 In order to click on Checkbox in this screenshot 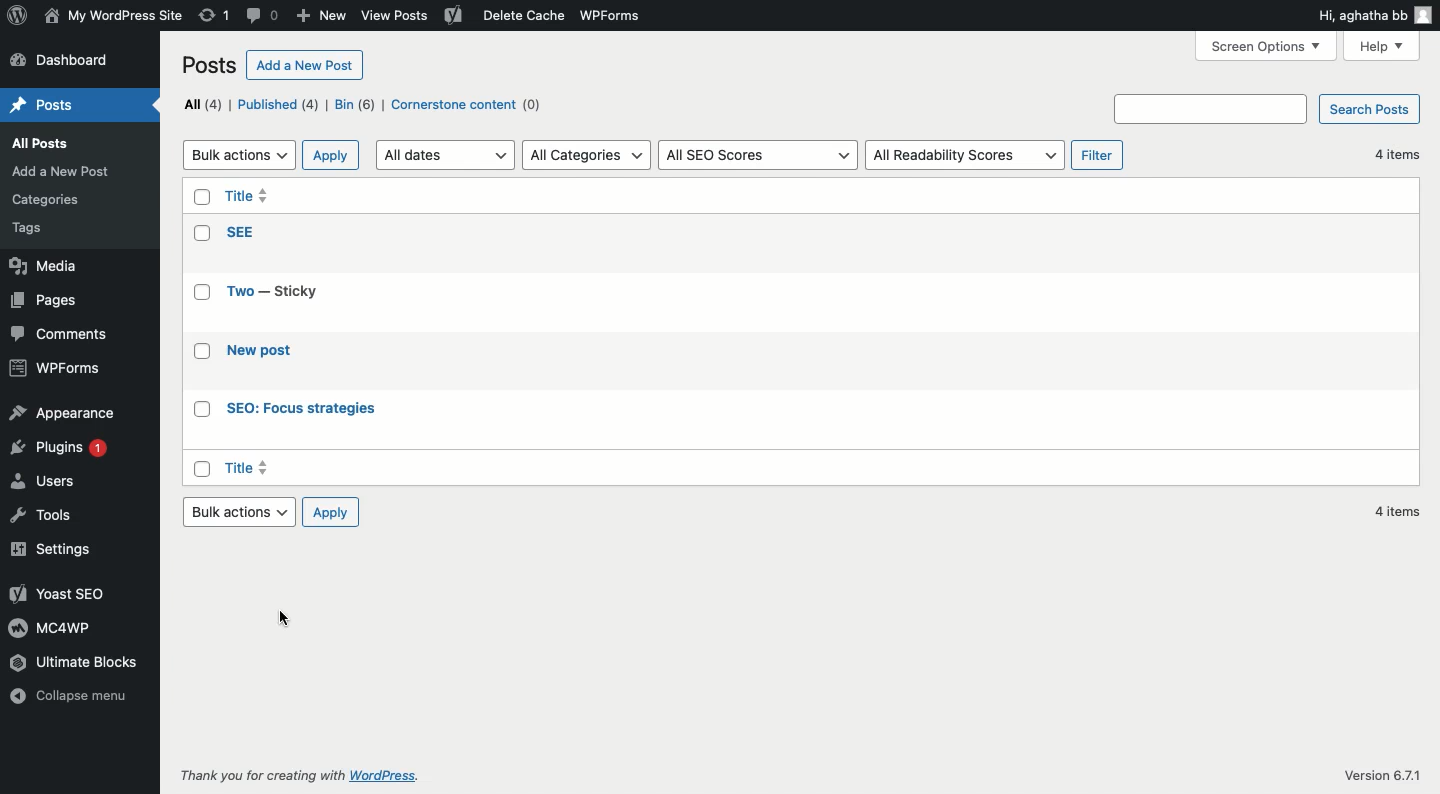, I will do `click(201, 233)`.